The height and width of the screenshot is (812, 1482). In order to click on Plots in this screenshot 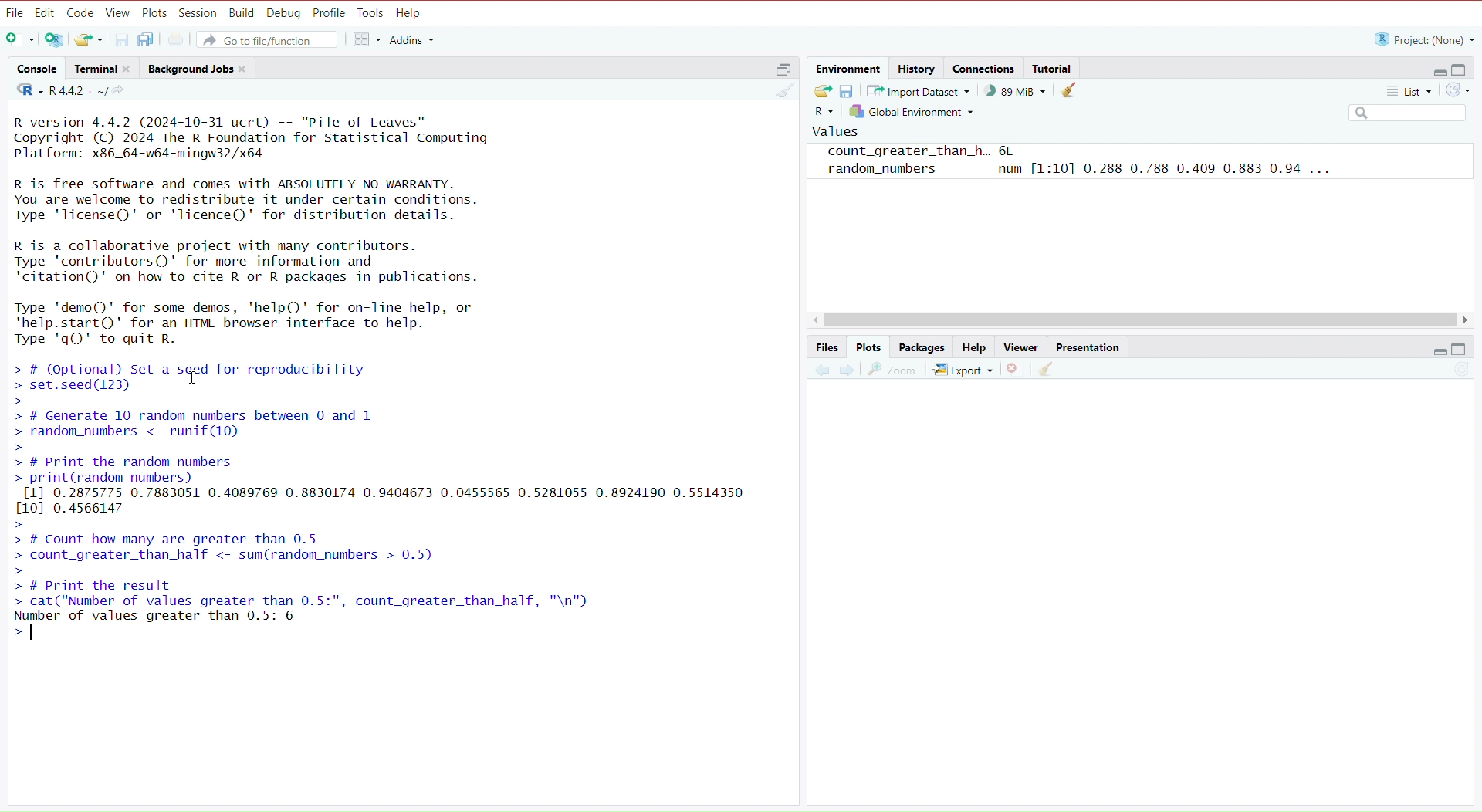, I will do `click(155, 12)`.